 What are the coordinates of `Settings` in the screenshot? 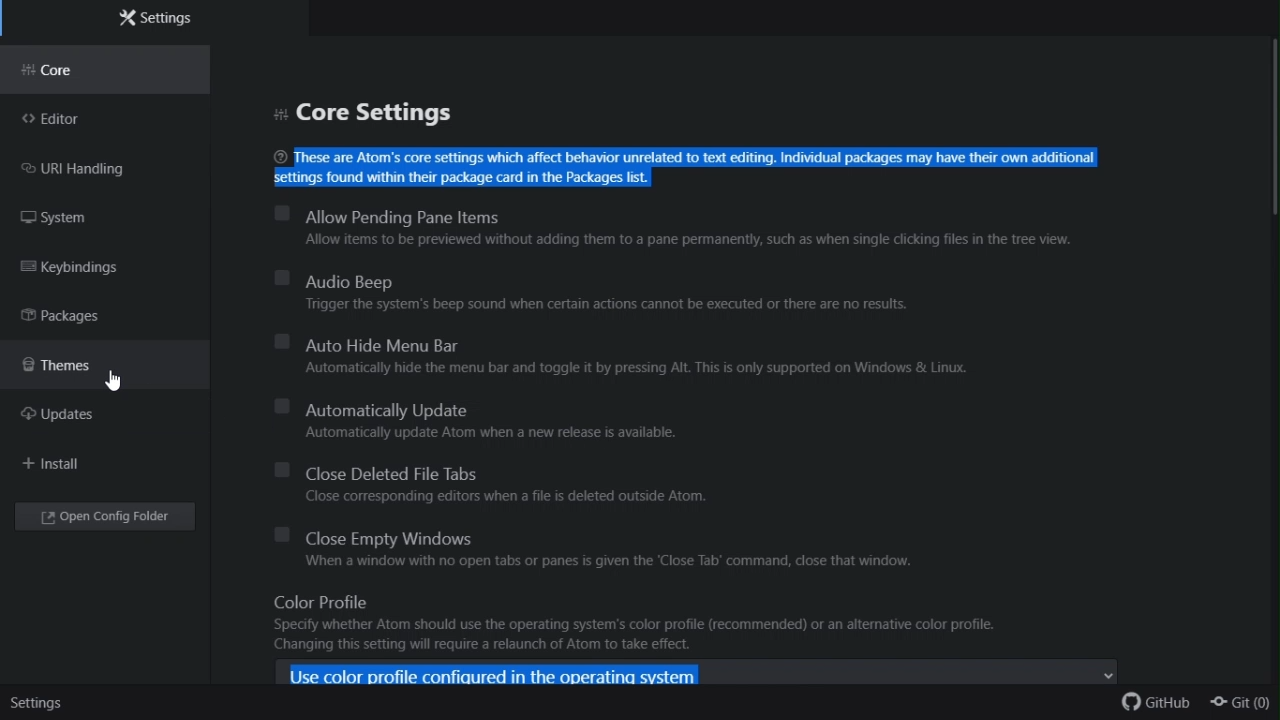 It's located at (149, 19).